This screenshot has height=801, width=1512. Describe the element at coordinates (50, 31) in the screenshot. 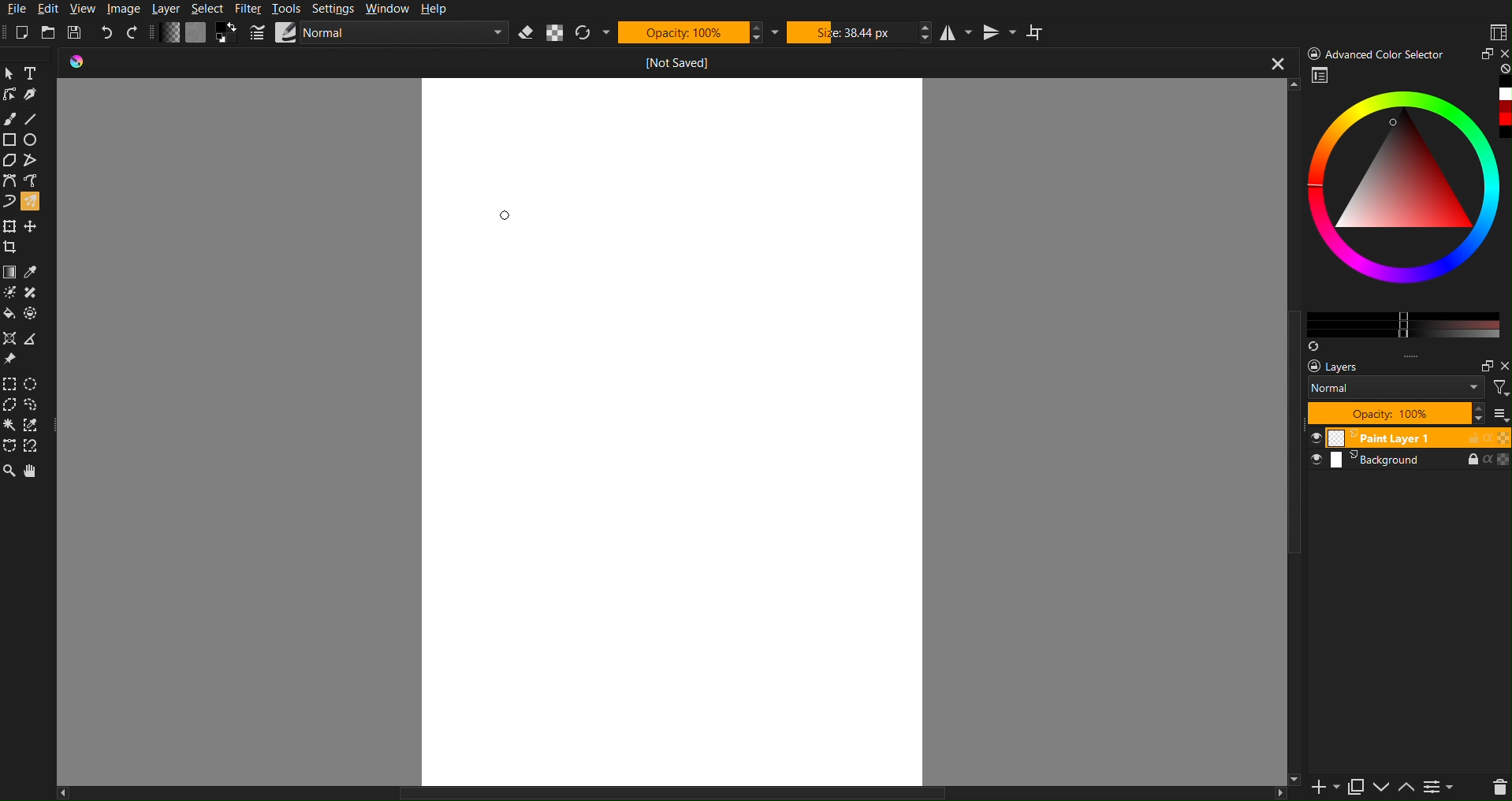

I see `Open` at that location.